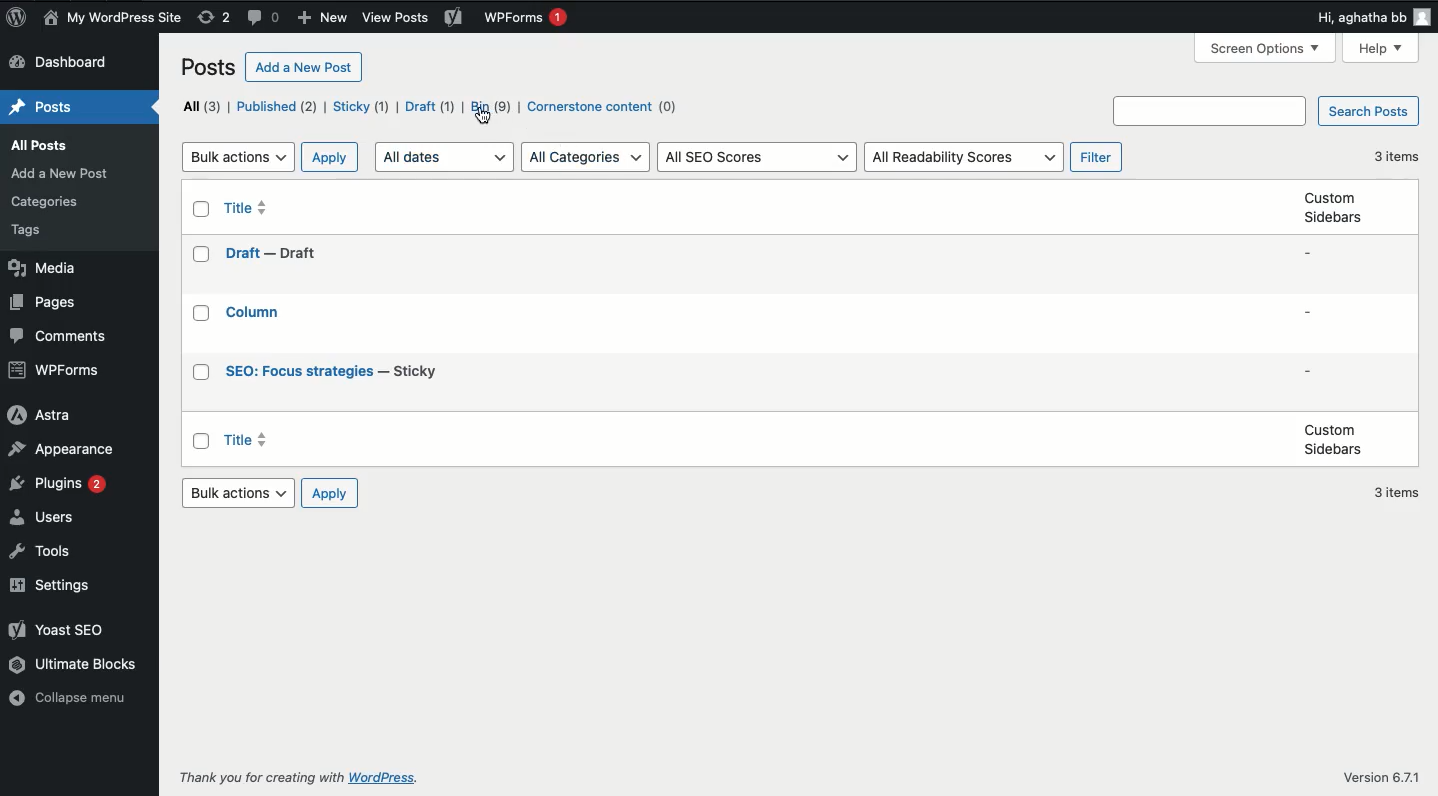 The height and width of the screenshot is (796, 1438). I want to click on Bulk actions, so click(239, 156).